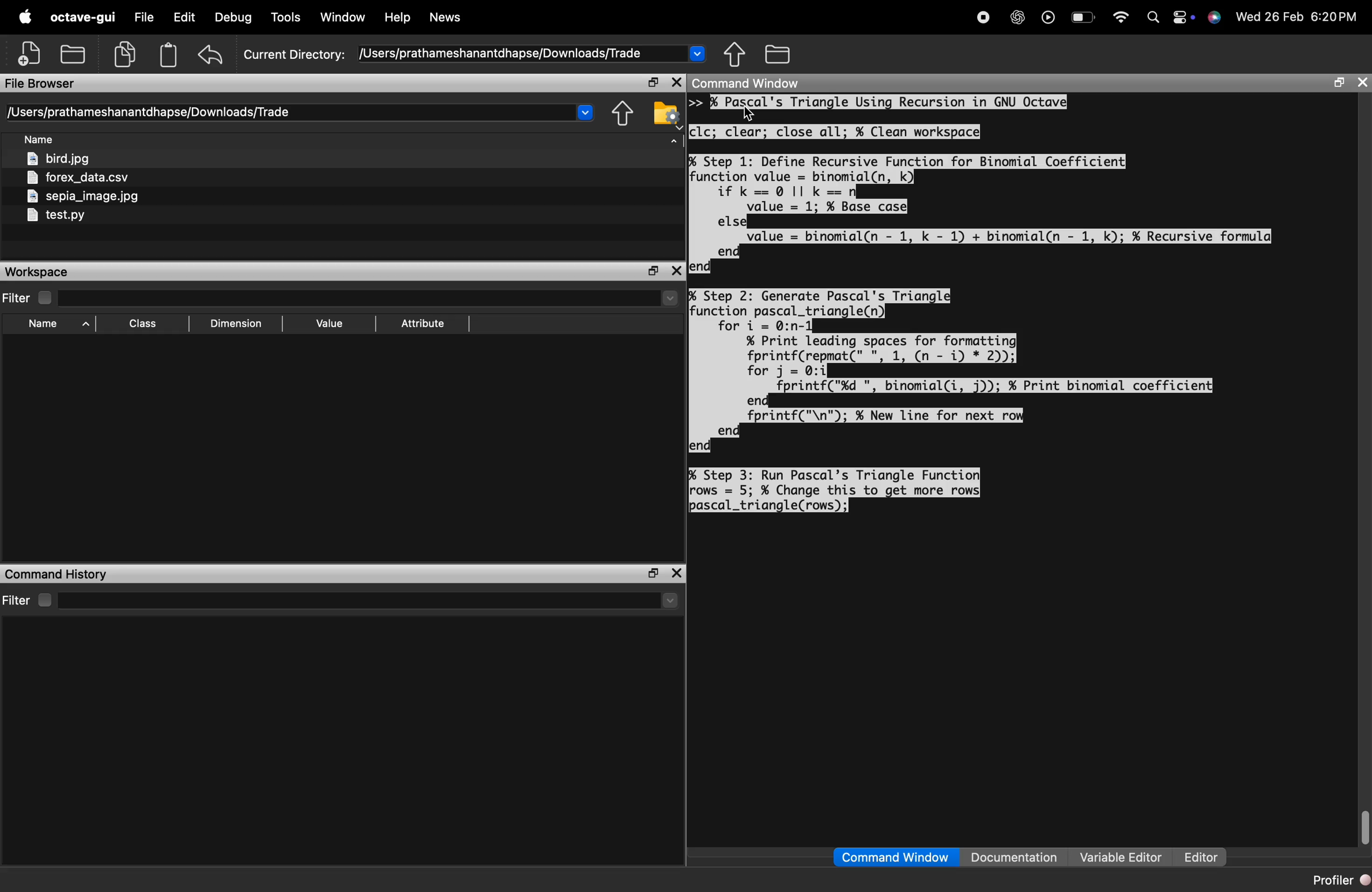 This screenshot has height=892, width=1372. Describe the element at coordinates (980, 303) in the screenshot. I see `% Pascal's Triangle Using Recursion in GNU Octave]clc; clear; close all; % Clean workspace)% Step 1: Define Recursive Function for Binomial Coefficientfunction value = binomial(n, k)|if k==0 II k ==n|value = 1; % Base caseelse)value = binomial(n - 1, k - 1) + binomial(n - 1, k); % Recursive formula,endlend% Step 2: Generate Pascal's Trianglefunction pascal_triangle(n)for i = 0:n-% Print leading spaces for formattingfprintf(repmat(" ", 1, (n - i) * 2));for j = 0:1fprintf("%d ", binomial(i, j)); % Print binomial coefficient]endfprintf("\n"); % New line for next roendlend% Step 3: Run Pascal’s Triangle Functionrows = 5; % Change this to get more rowspascal _triangle(rows);` at that location.